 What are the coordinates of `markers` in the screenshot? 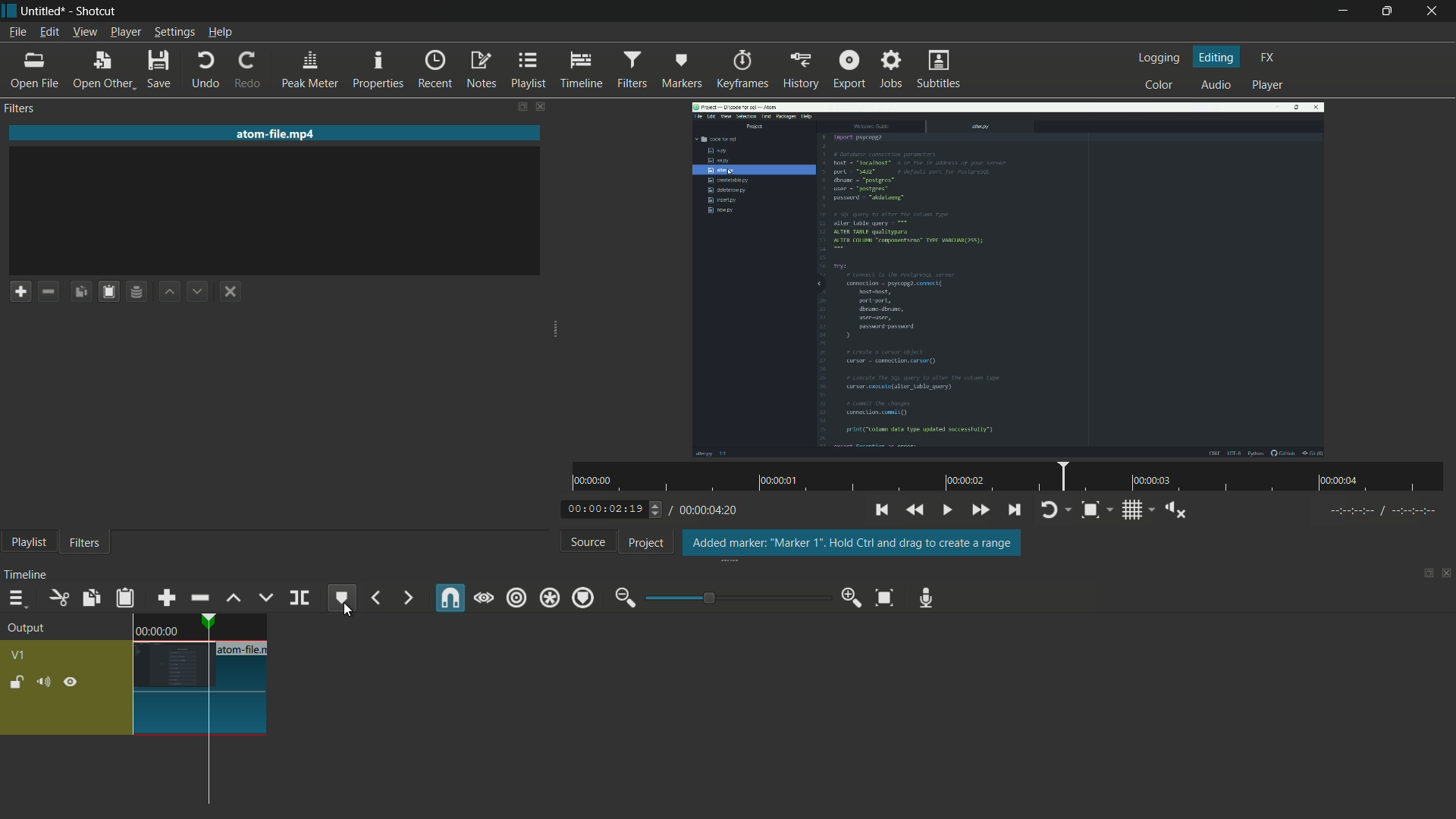 It's located at (677, 71).